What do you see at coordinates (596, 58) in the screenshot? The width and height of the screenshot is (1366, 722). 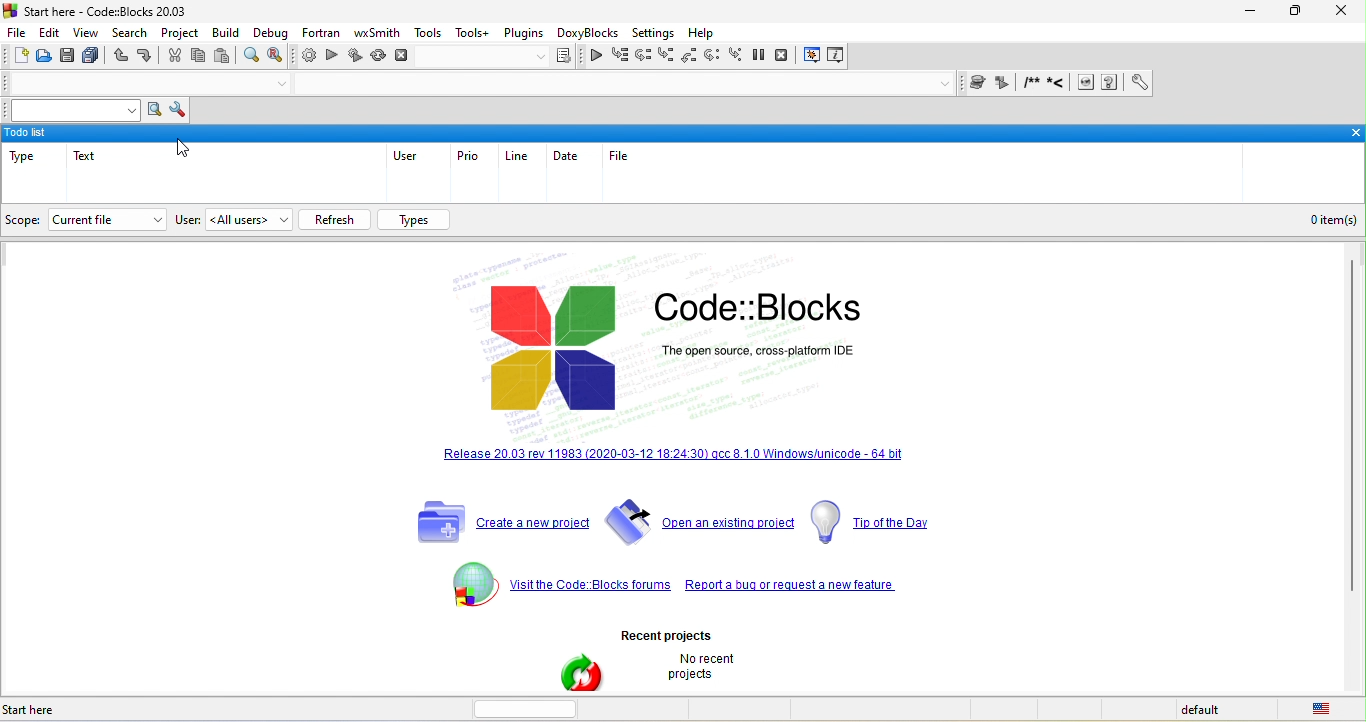 I see `continue` at bounding box center [596, 58].